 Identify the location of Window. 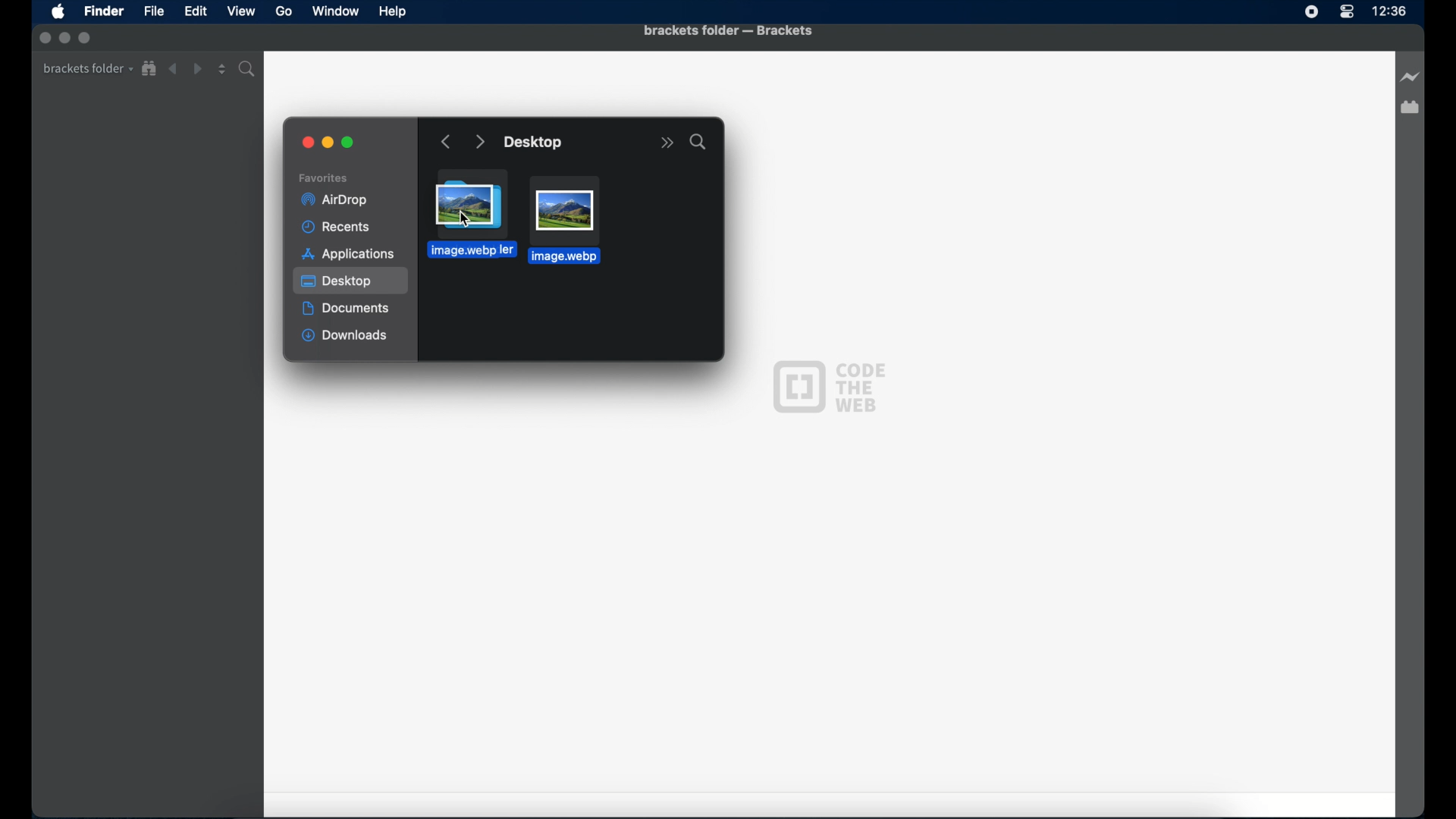
(336, 11).